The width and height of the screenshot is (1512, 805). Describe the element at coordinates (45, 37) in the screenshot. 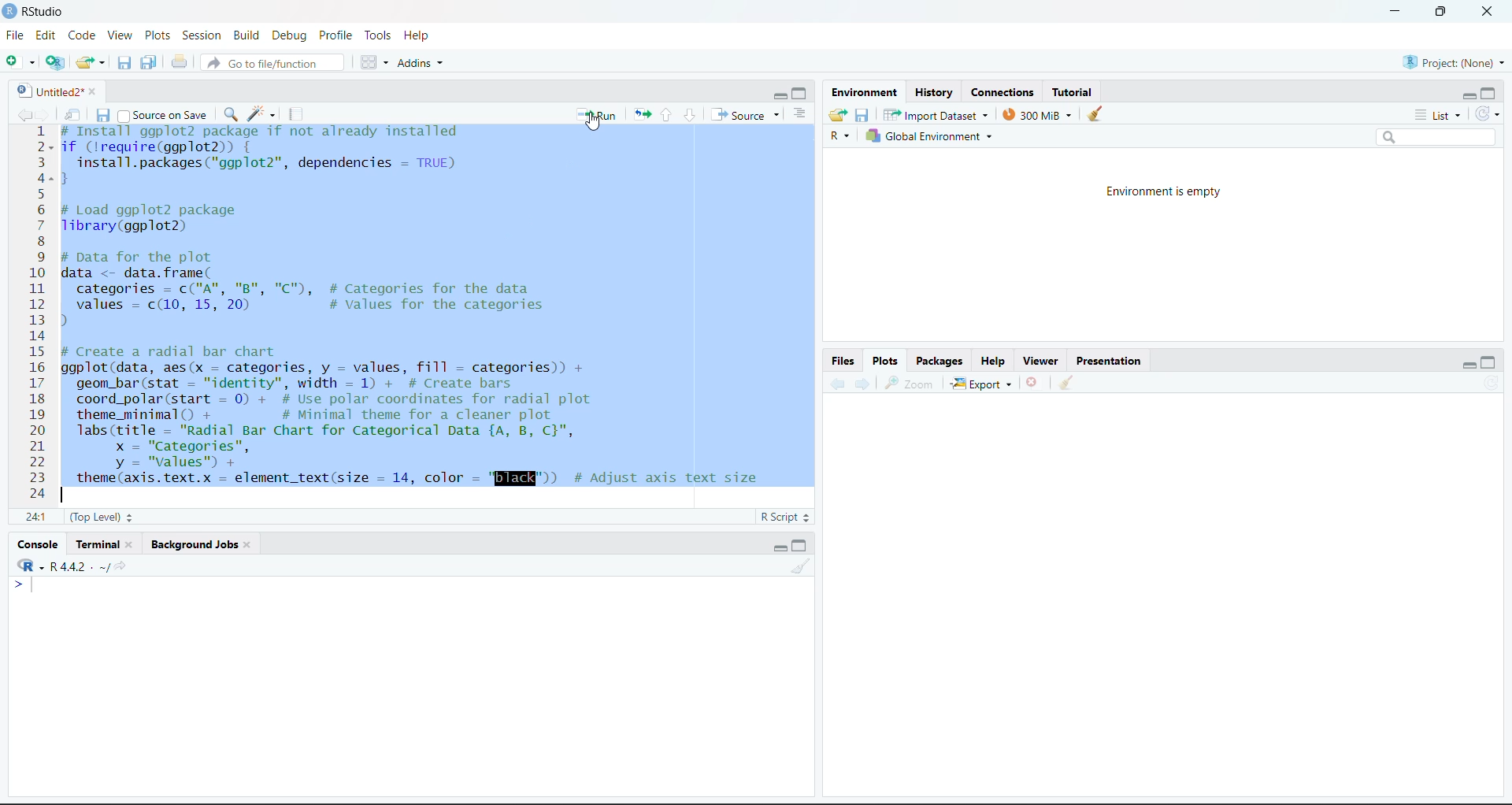

I see `Edit` at that location.